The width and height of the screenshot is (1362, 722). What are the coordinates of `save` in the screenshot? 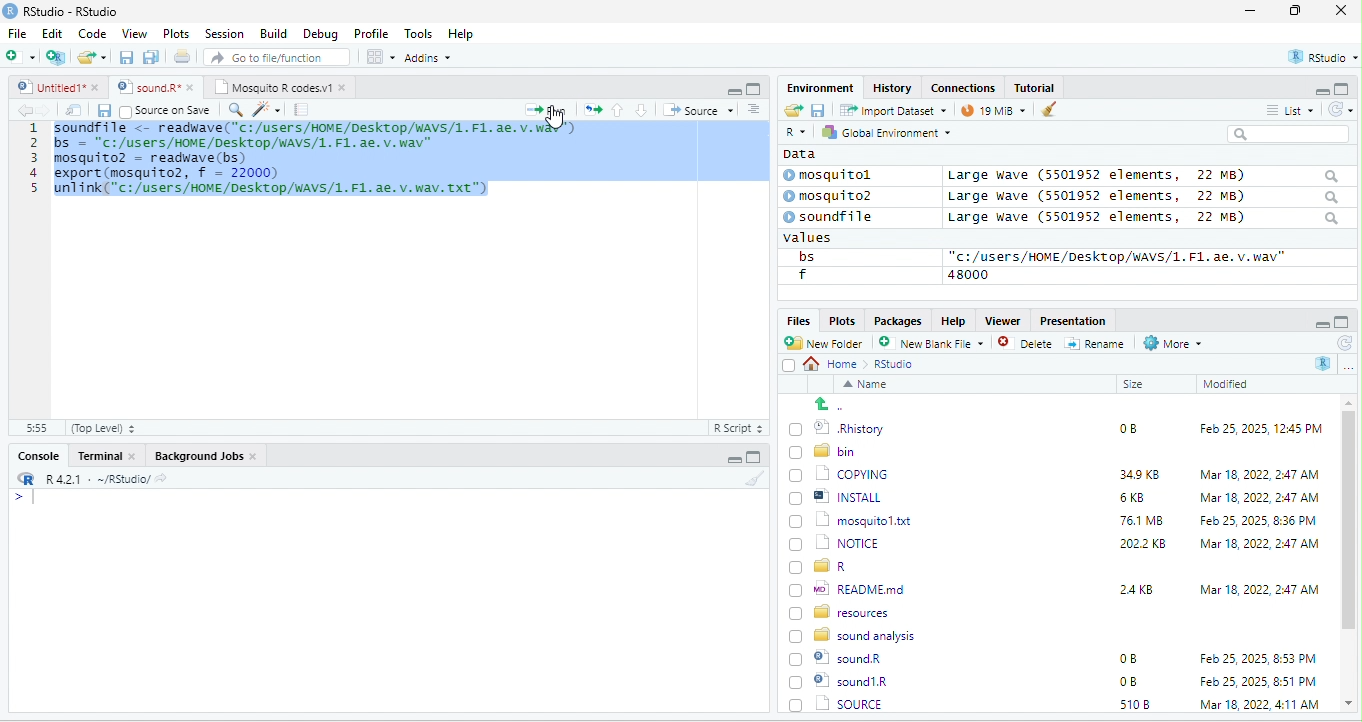 It's located at (817, 109).